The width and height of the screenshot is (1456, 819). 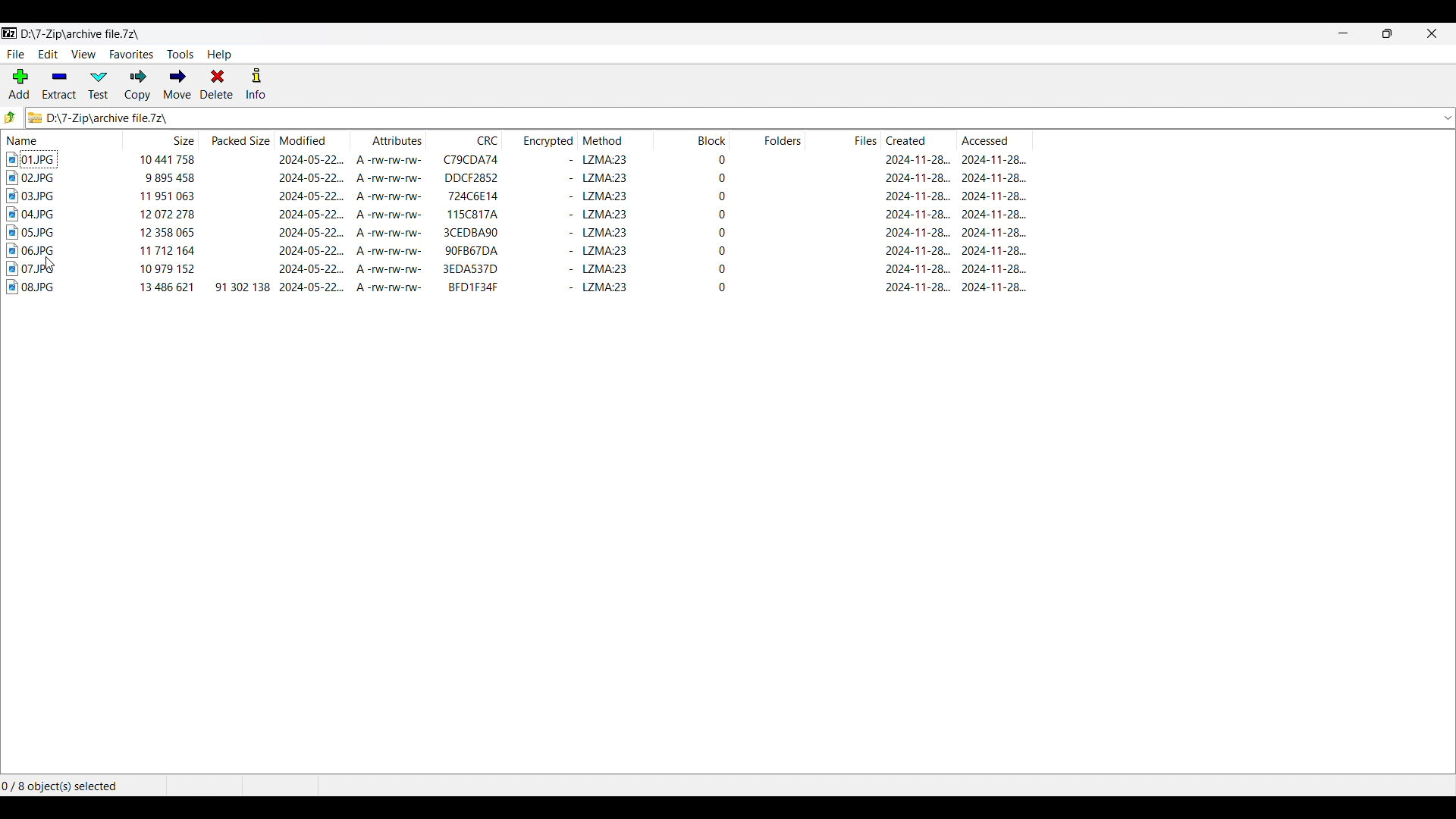 What do you see at coordinates (389, 287) in the screenshot?
I see `attributes` at bounding box center [389, 287].